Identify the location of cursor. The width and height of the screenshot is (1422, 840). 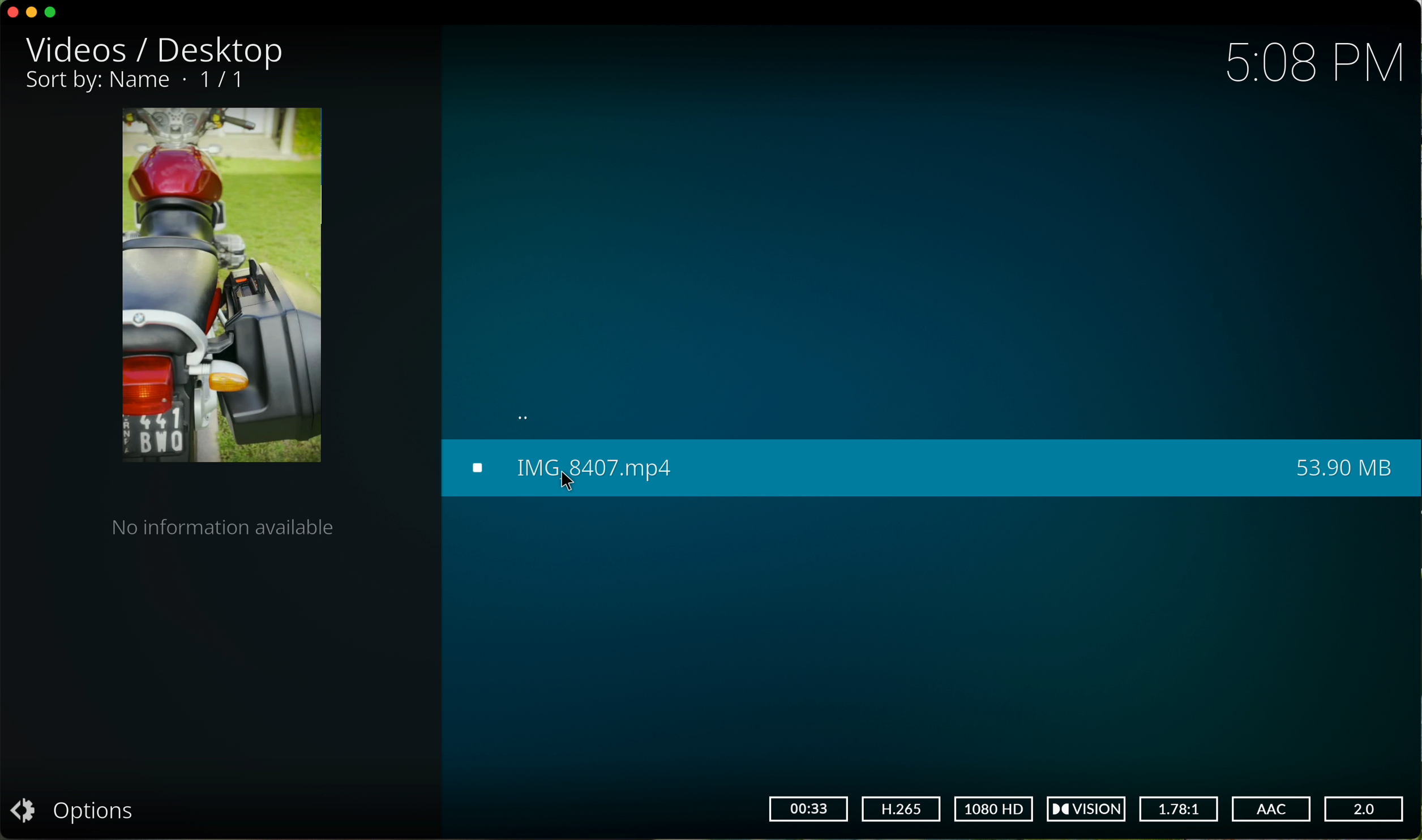
(569, 483).